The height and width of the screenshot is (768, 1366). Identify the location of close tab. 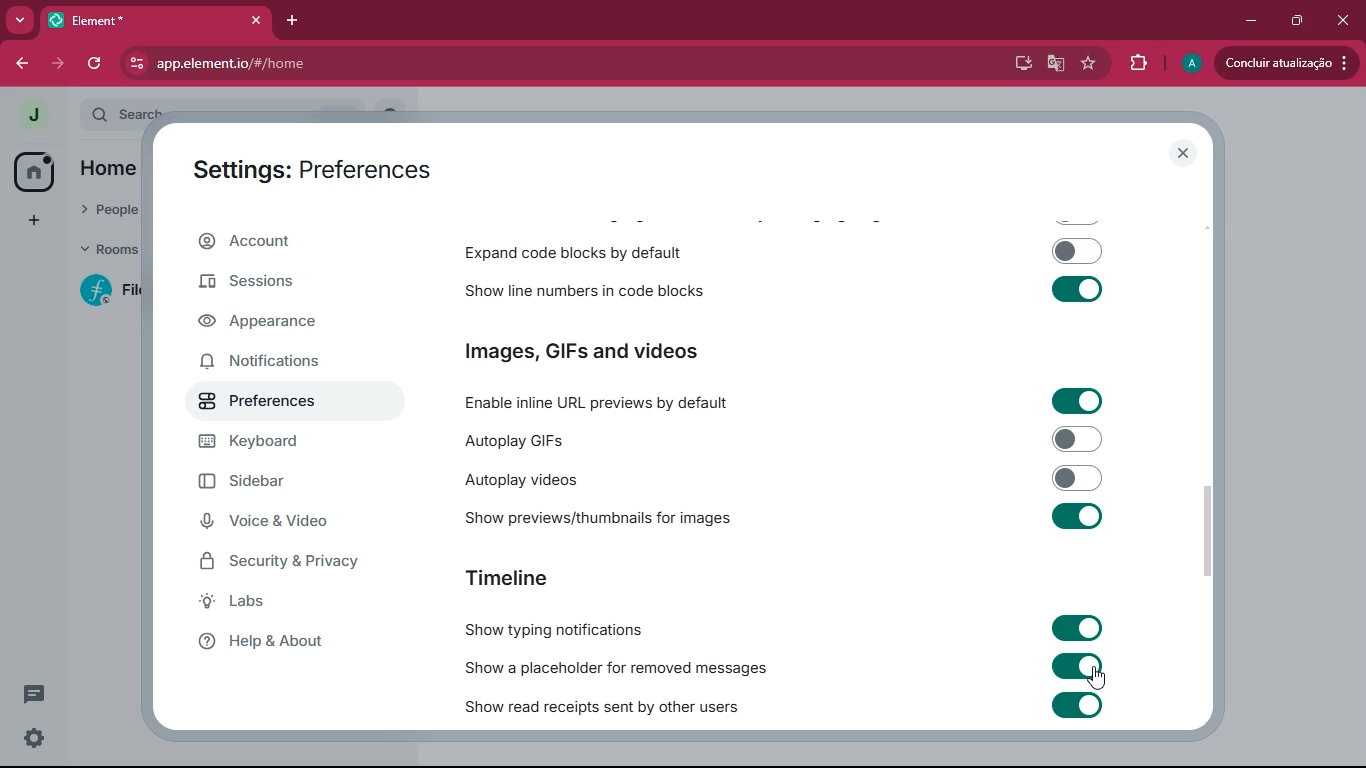
(256, 20).